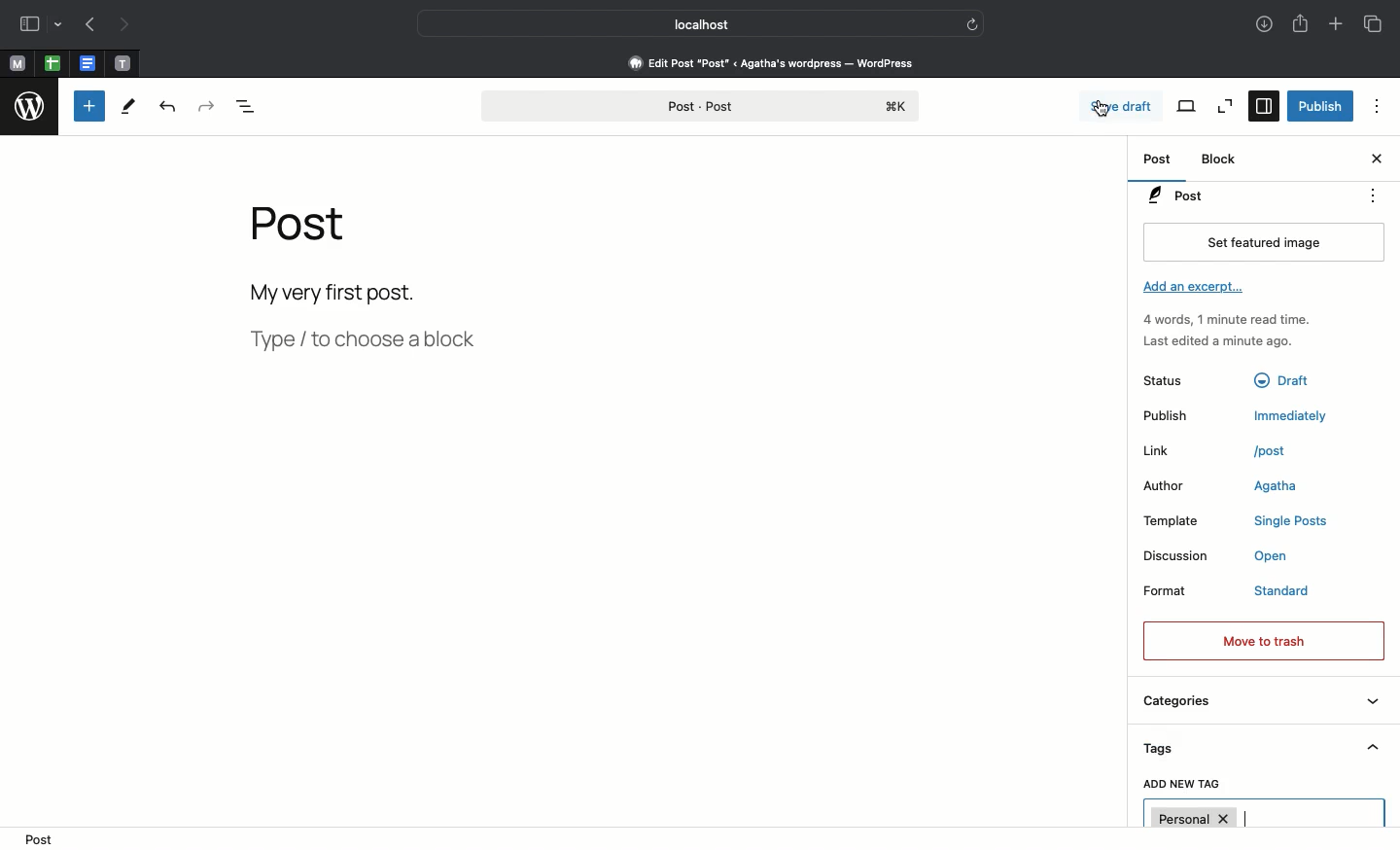  I want to click on Sidebar, so click(1262, 106).